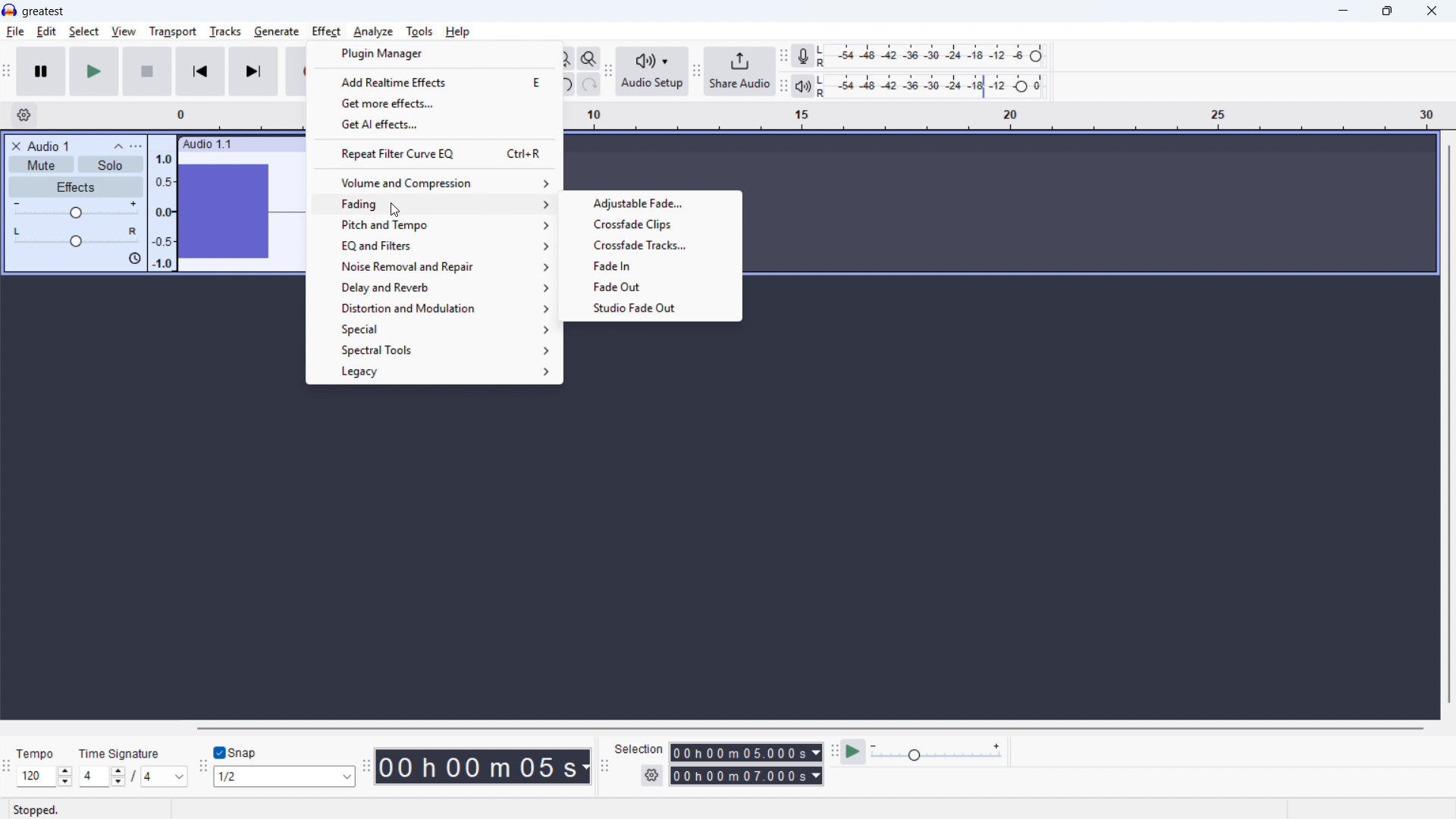  Describe the element at coordinates (696, 73) in the screenshot. I see `` at that location.